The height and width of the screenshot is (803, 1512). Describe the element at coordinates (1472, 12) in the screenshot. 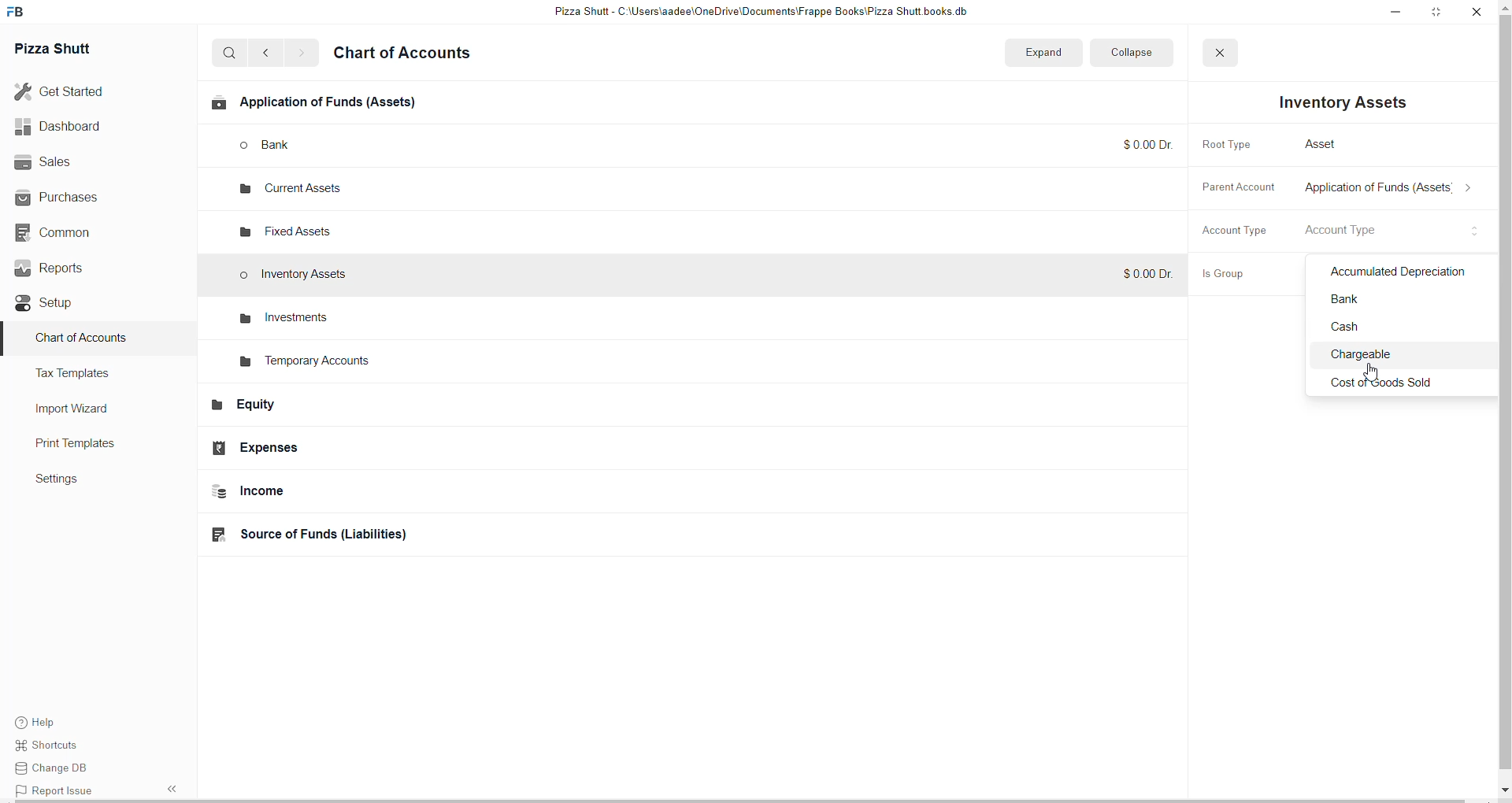

I see `close` at that location.